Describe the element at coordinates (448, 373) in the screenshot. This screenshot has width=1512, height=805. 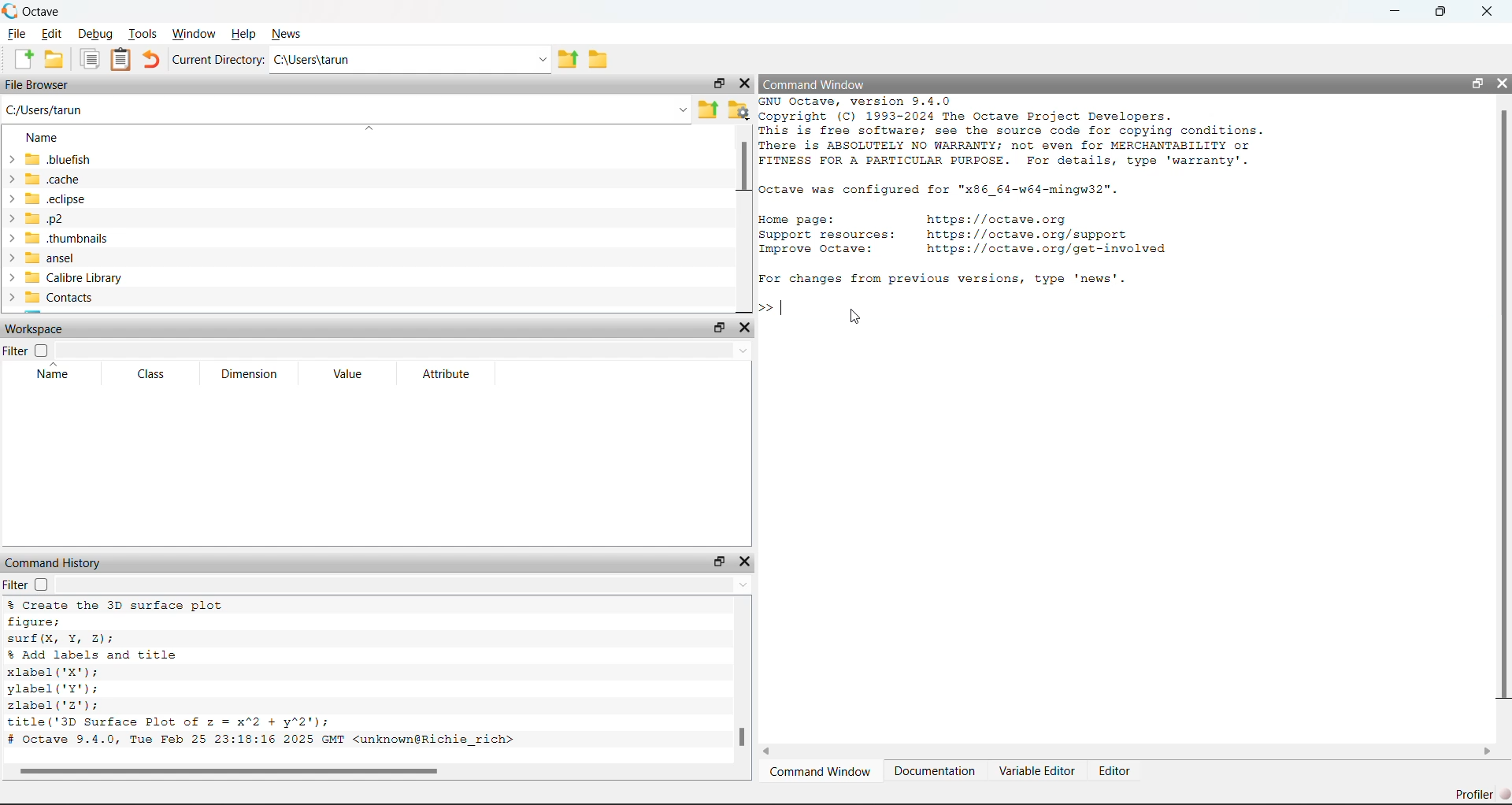
I see `Attribute` at that location.